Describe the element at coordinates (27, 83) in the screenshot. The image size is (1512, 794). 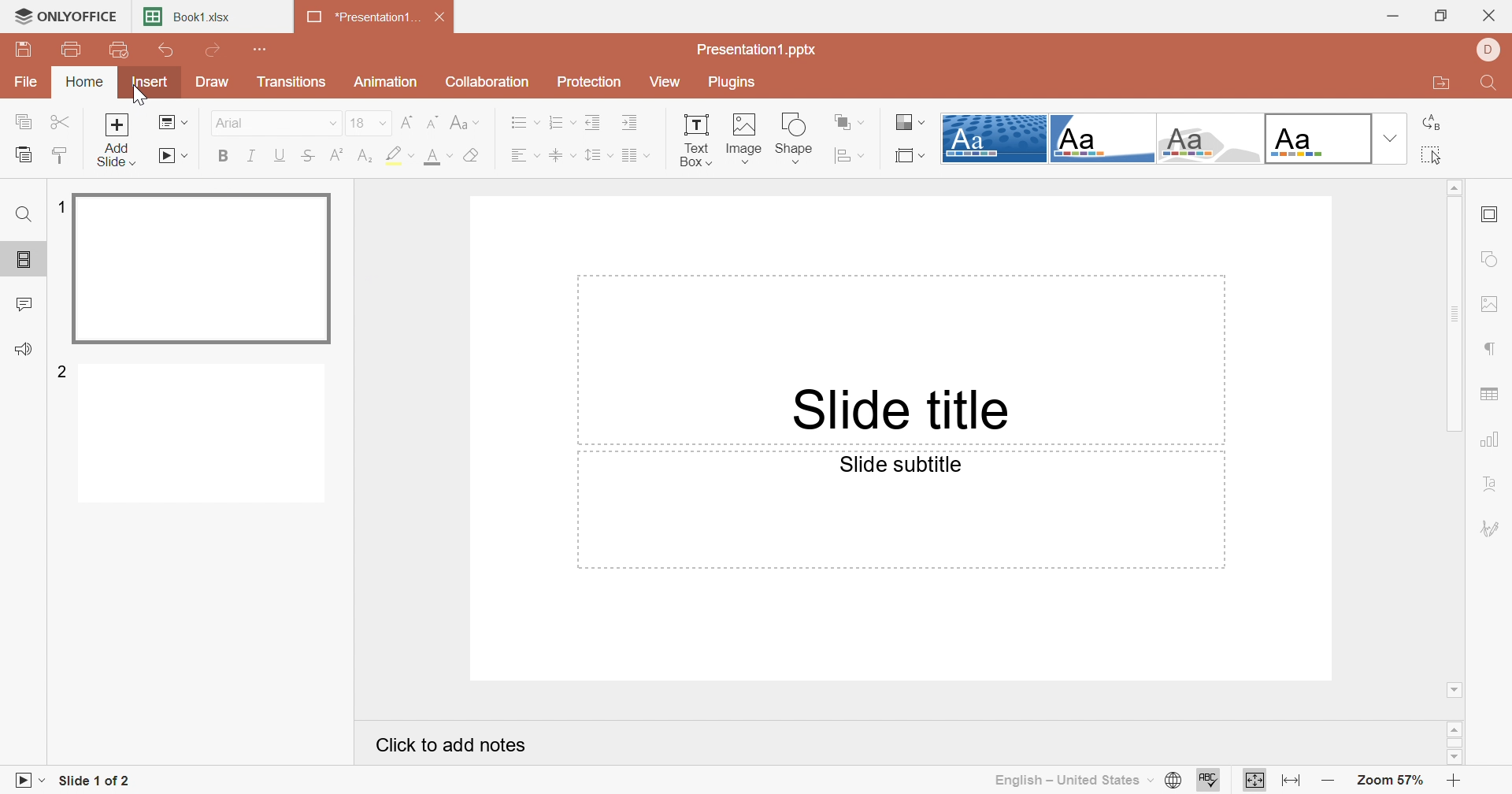
I see `File` at that location.